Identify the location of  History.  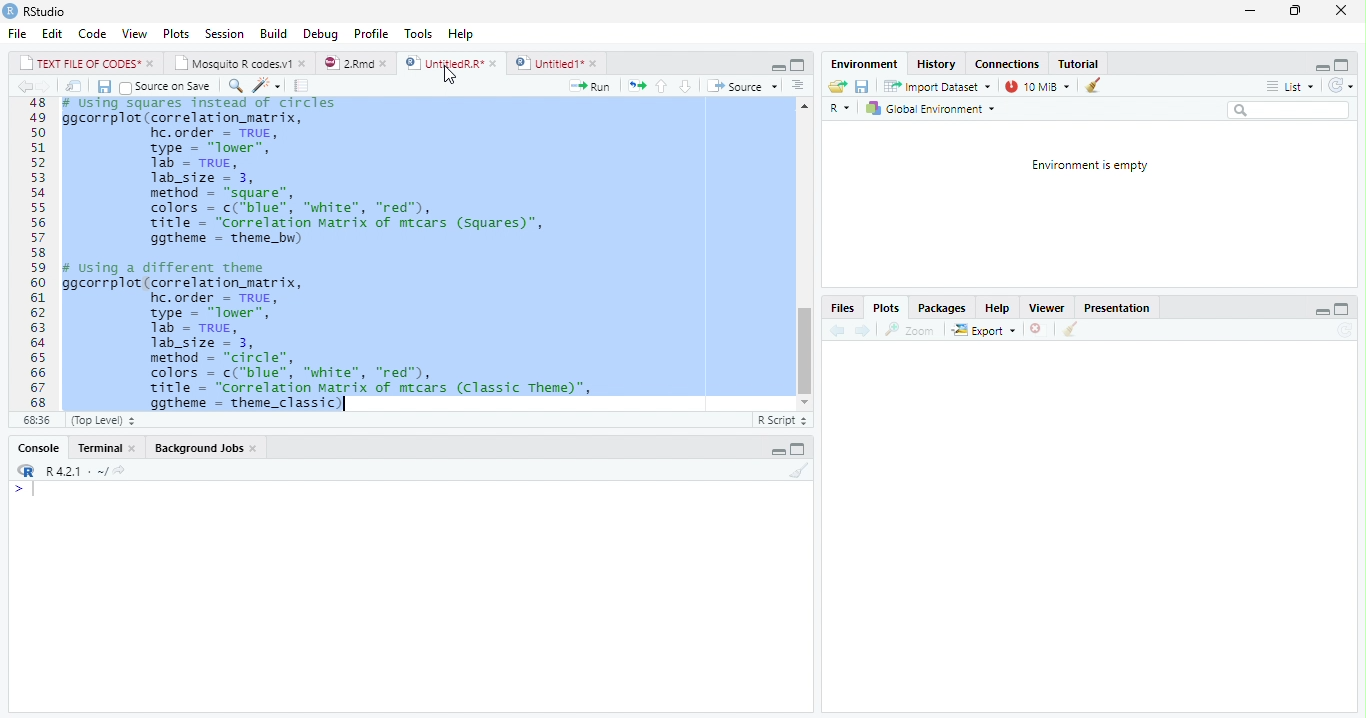
(938, 66).